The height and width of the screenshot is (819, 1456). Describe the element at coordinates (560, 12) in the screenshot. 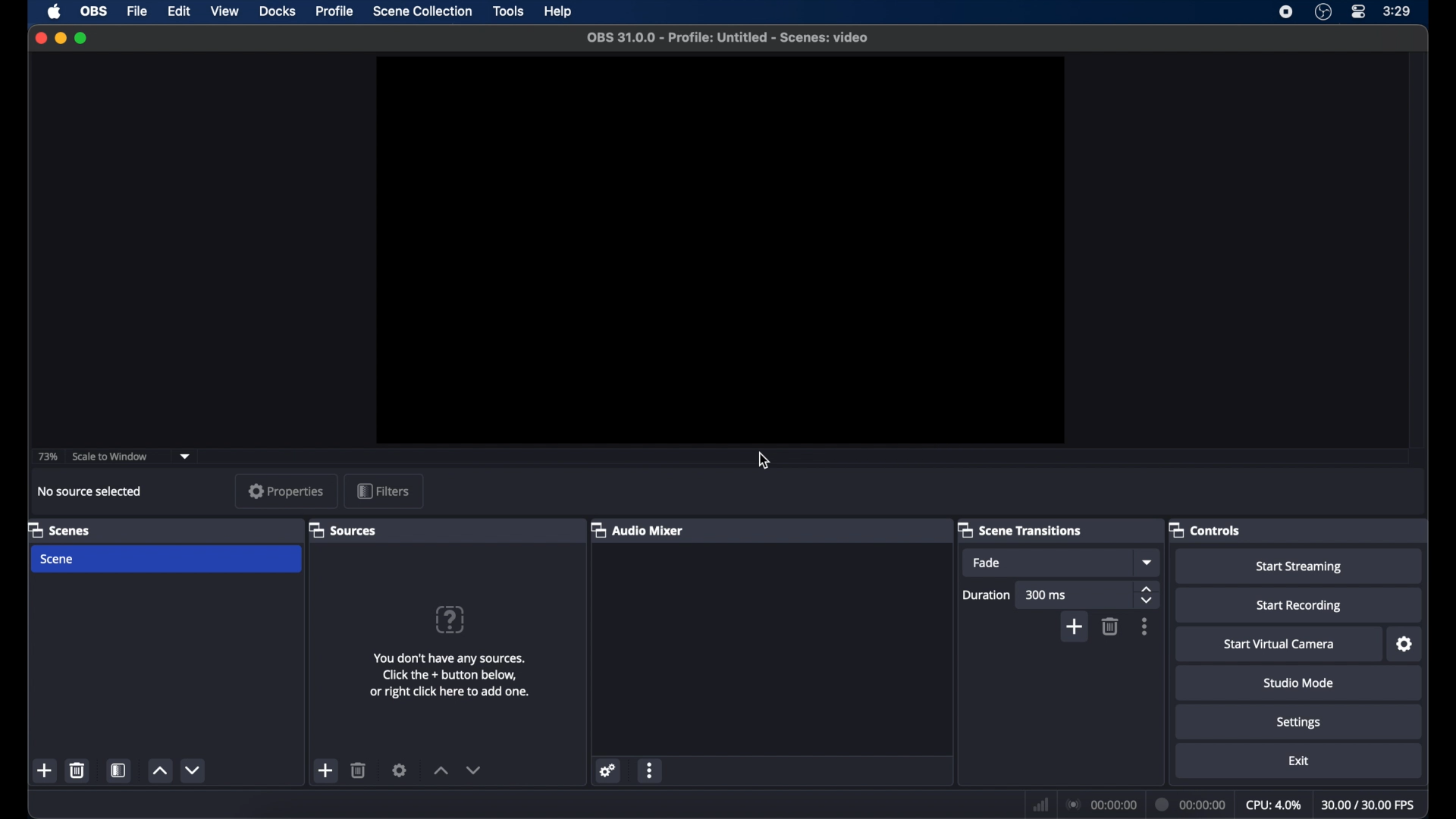

I see `help` at that location.